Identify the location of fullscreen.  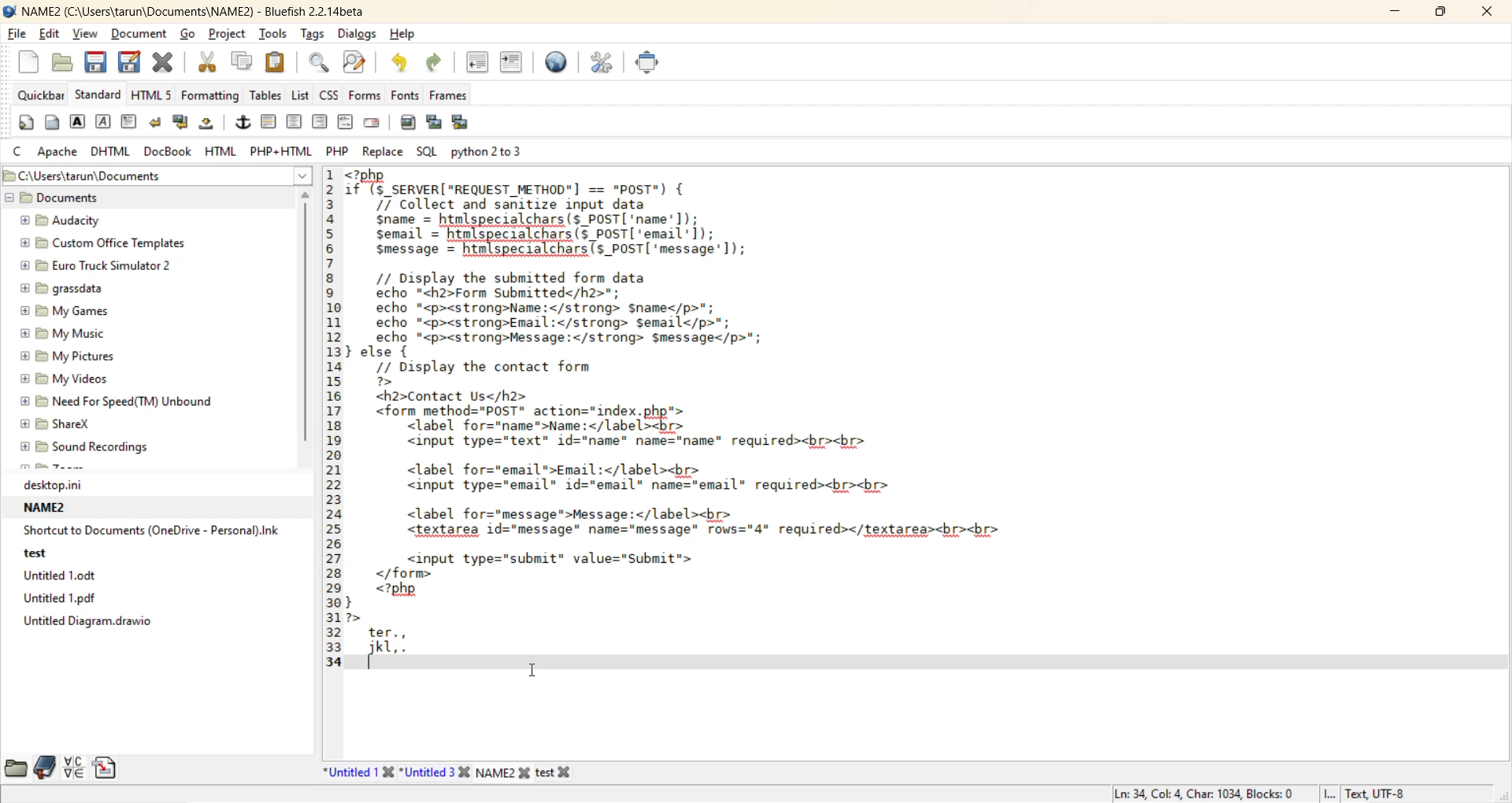
(647, 61).